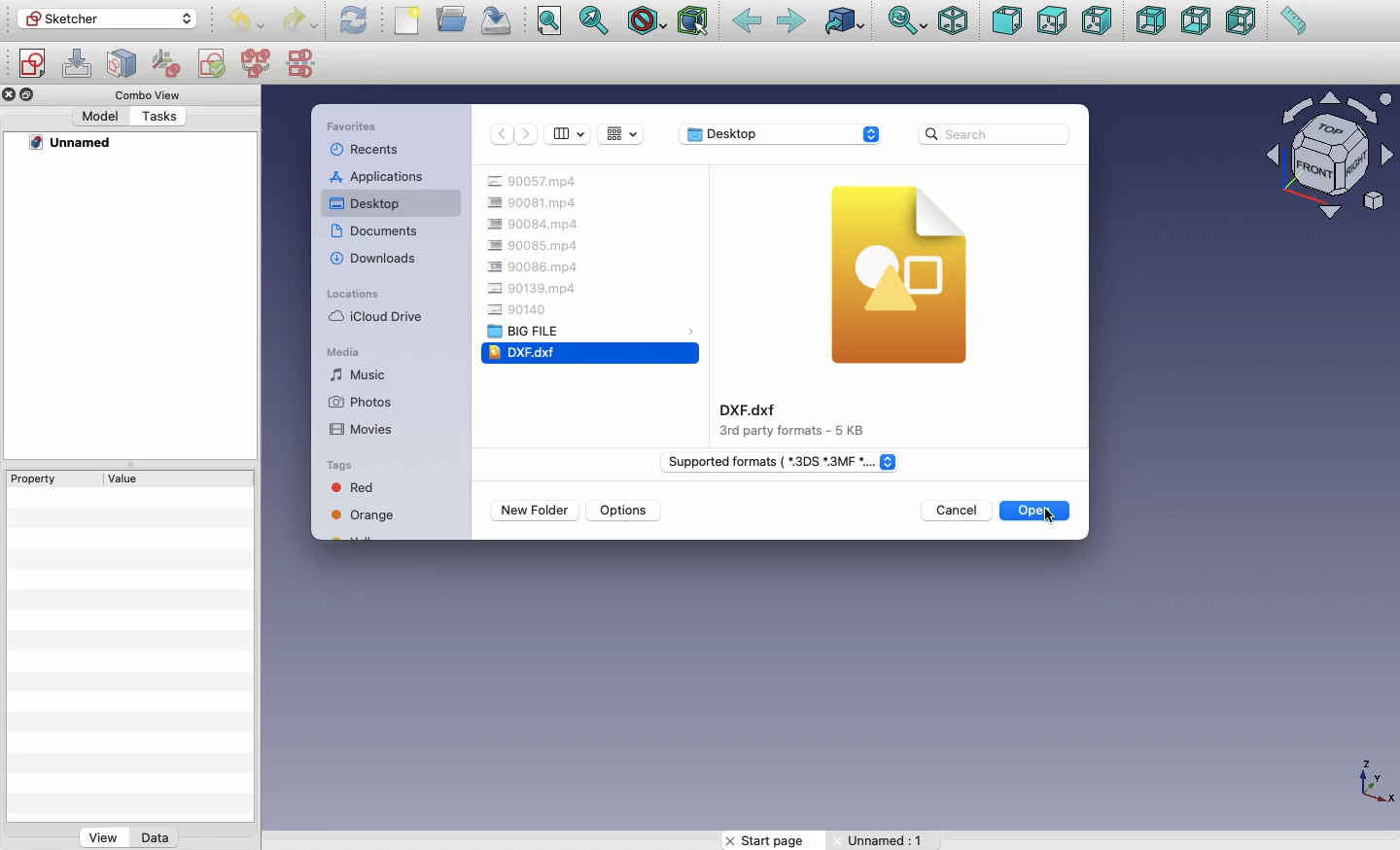 The height and width of the screenshot is (850, 1400). What do you see at coordinates (1050, 20) in the screenshot?
I see `Top` at bounding box center [1050, 20].